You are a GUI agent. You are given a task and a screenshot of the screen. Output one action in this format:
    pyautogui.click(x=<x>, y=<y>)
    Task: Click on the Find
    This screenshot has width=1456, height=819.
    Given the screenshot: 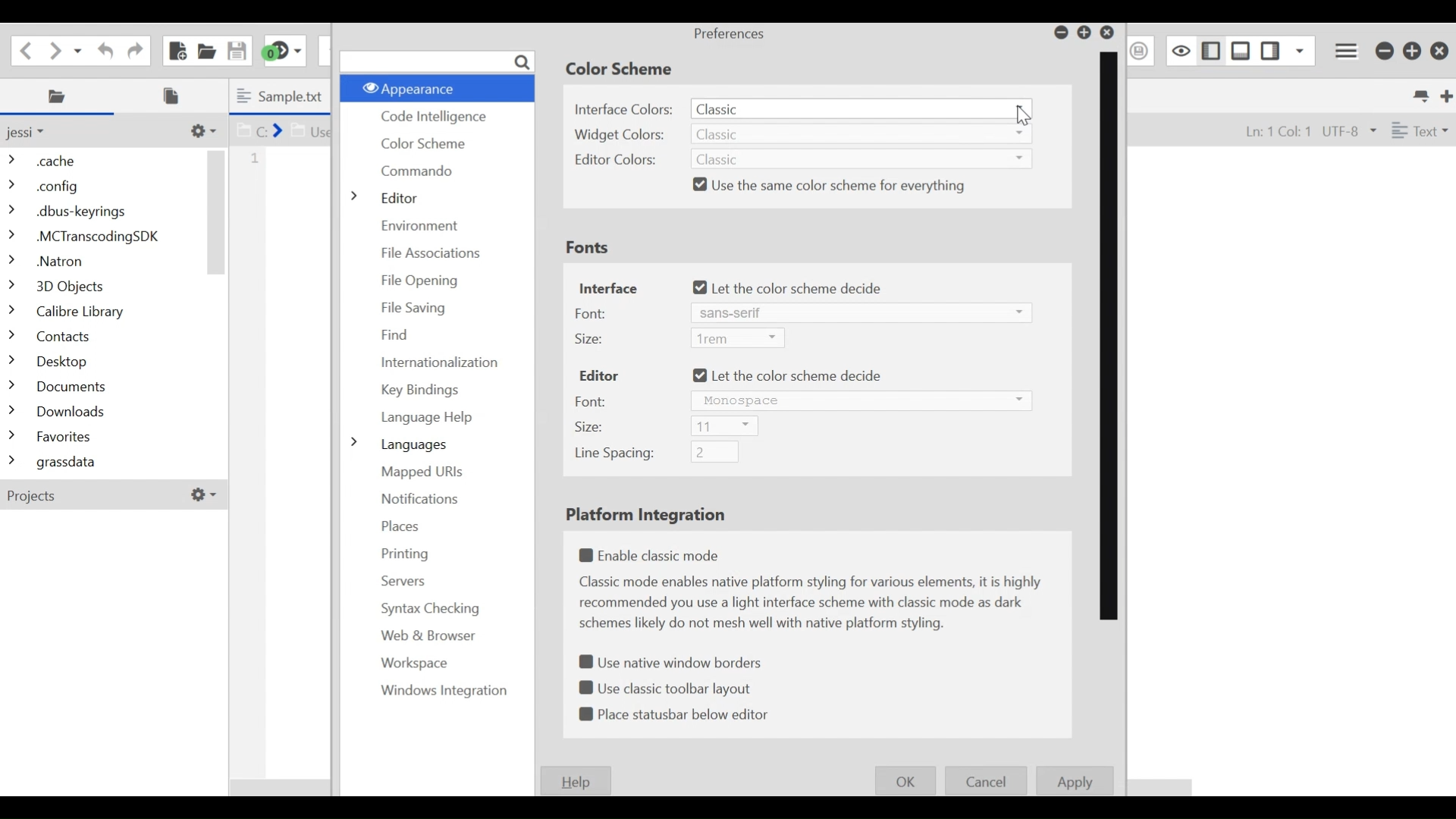 What is the action you would take?
    pyautogui.click(x=397, y=334)
    